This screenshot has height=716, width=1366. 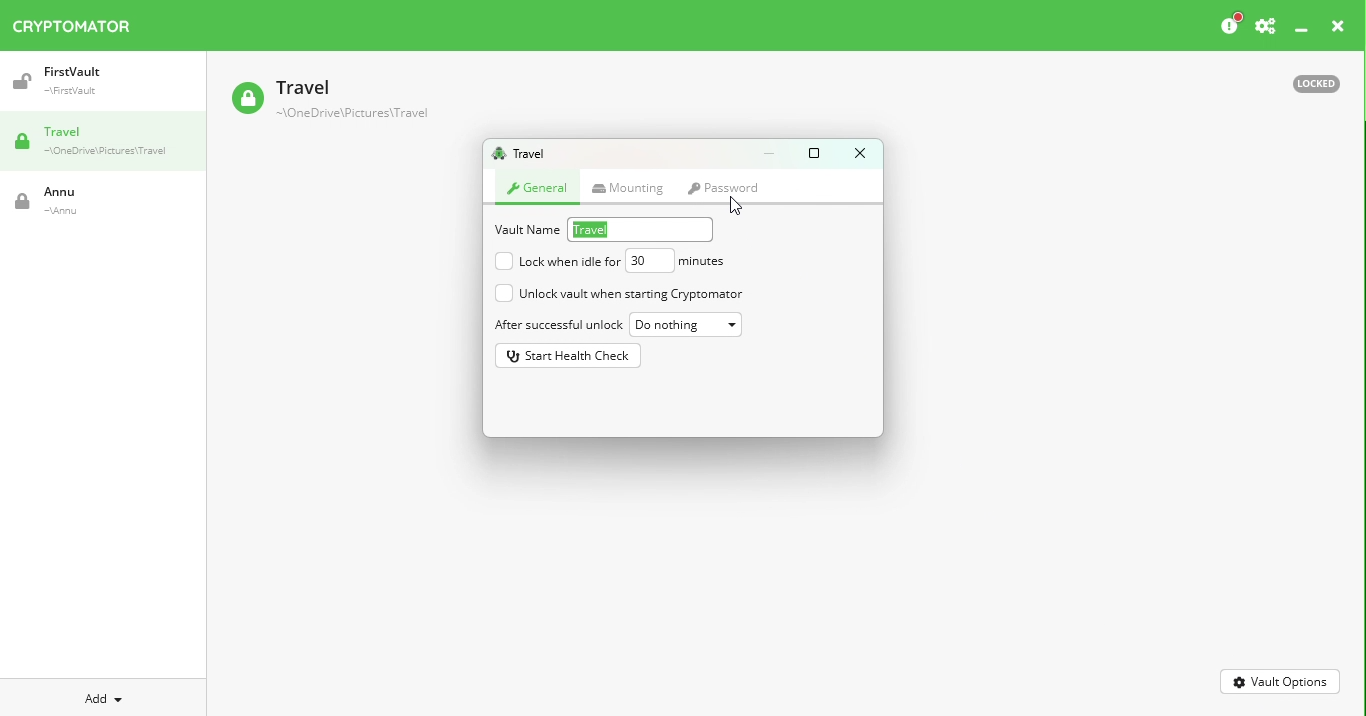 What do you see at coordinates (93, 81) in the screenshot?
I see `Vault` at bounding box center [93, 81].